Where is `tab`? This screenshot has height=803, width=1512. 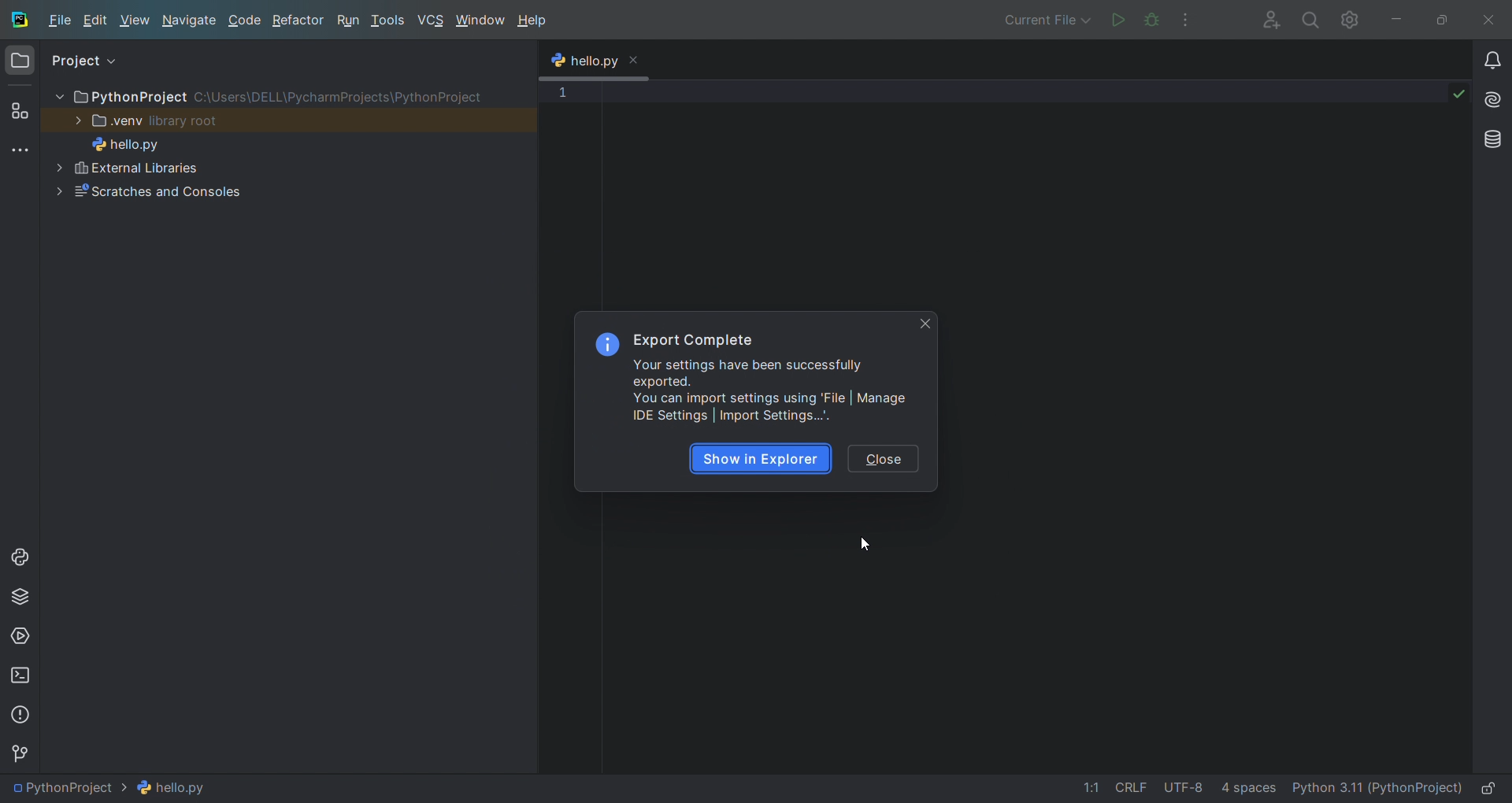
tab is located at coordinates (595, 62).